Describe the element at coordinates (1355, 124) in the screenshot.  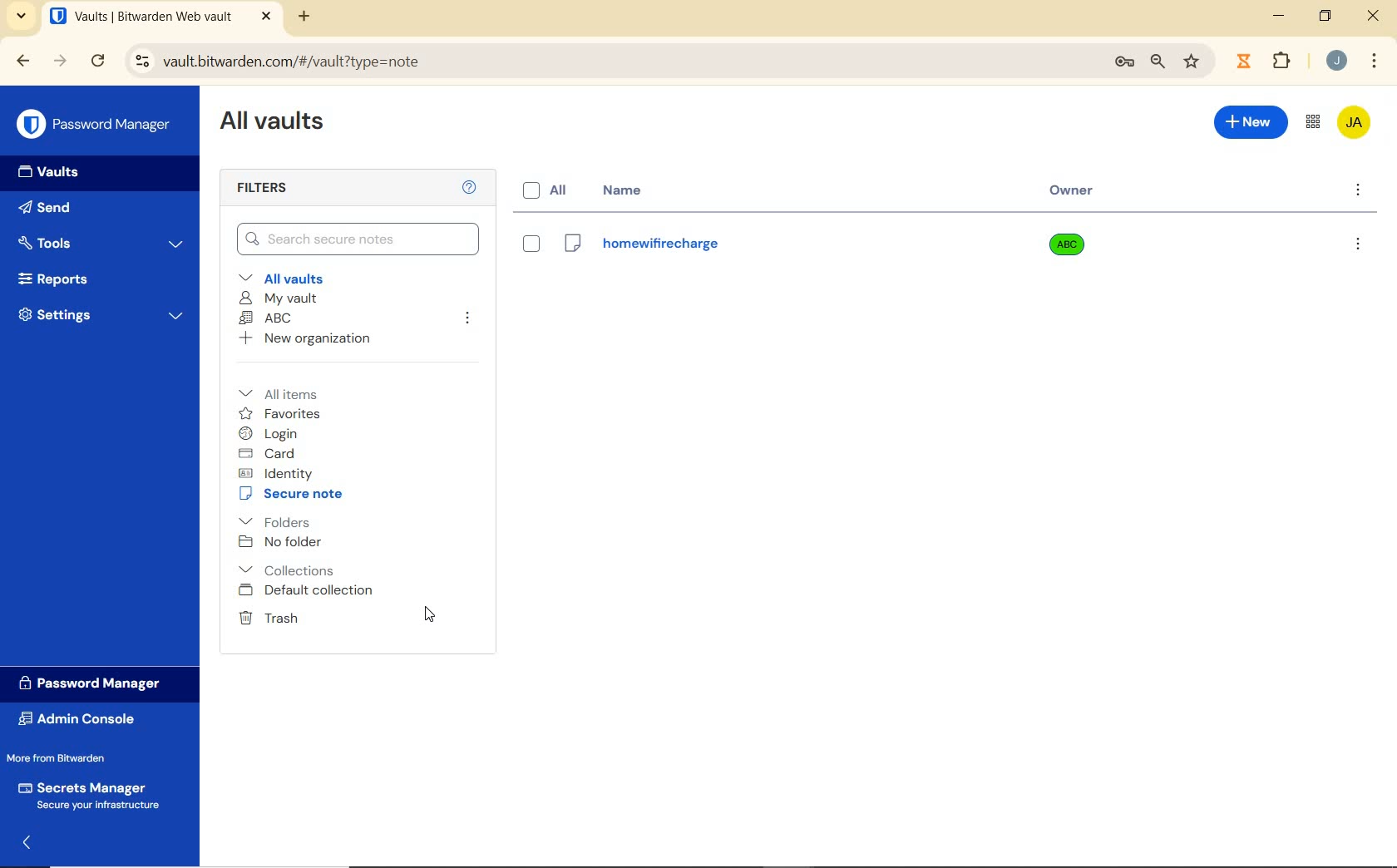
I see `Bitwarden Account` at that location.